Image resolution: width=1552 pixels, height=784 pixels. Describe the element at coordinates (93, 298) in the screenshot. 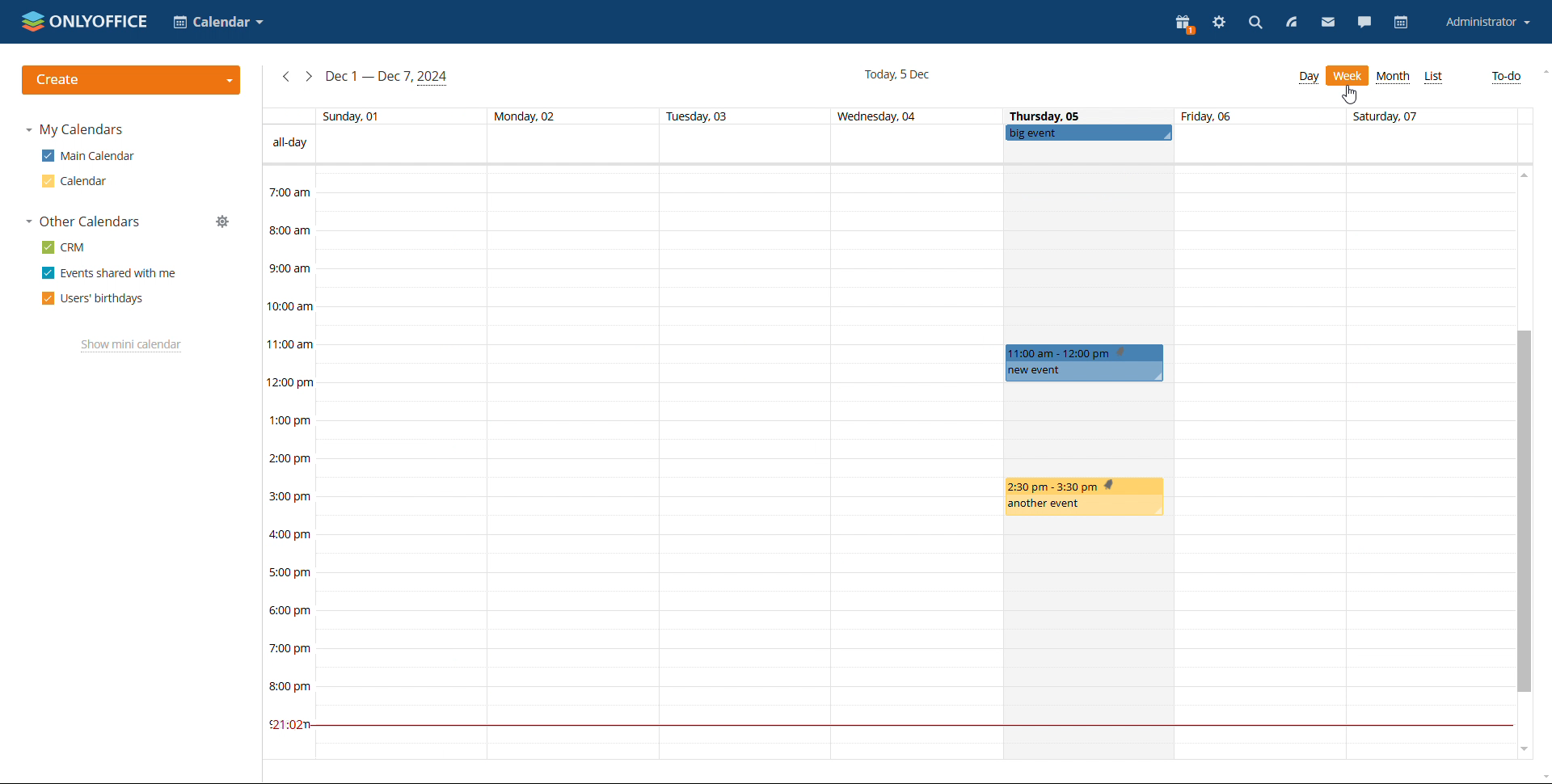

I see `users' birthdays` at that location.